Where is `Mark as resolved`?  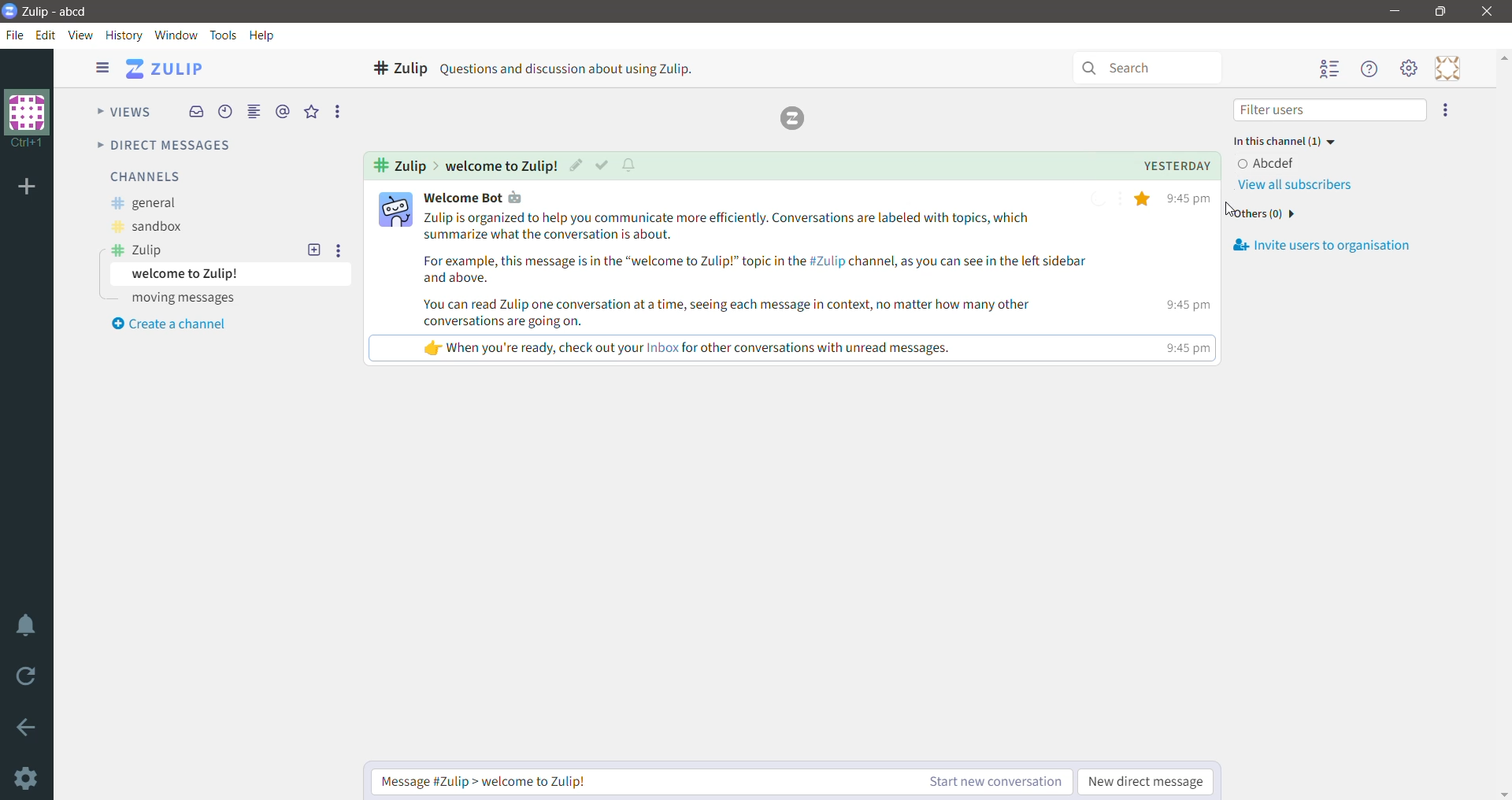 Mark as resolved is located at coordinates (599, 165).